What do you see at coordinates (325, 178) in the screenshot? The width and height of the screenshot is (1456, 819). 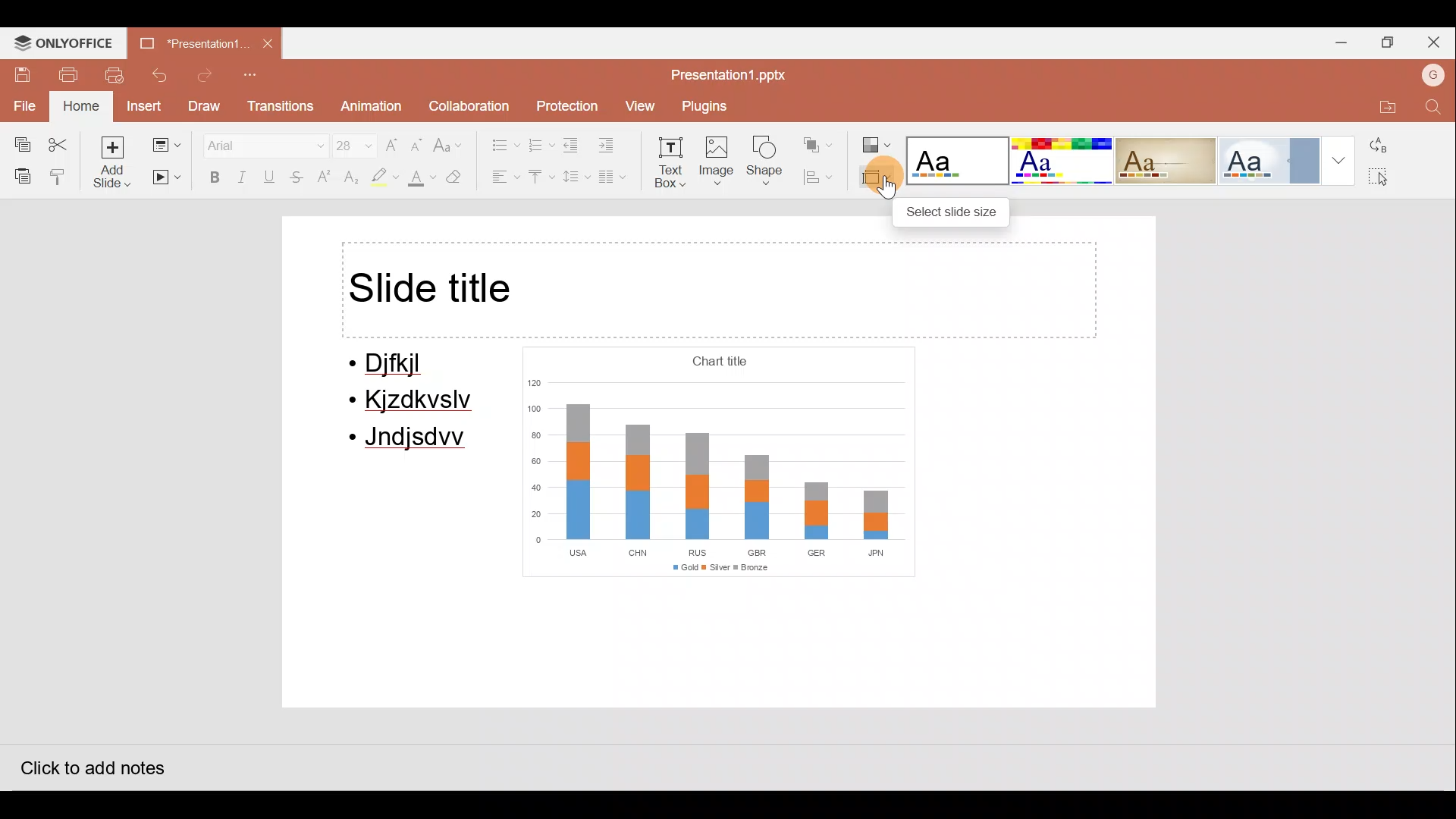 I see `Superscript` at bounding box center [325, 178].